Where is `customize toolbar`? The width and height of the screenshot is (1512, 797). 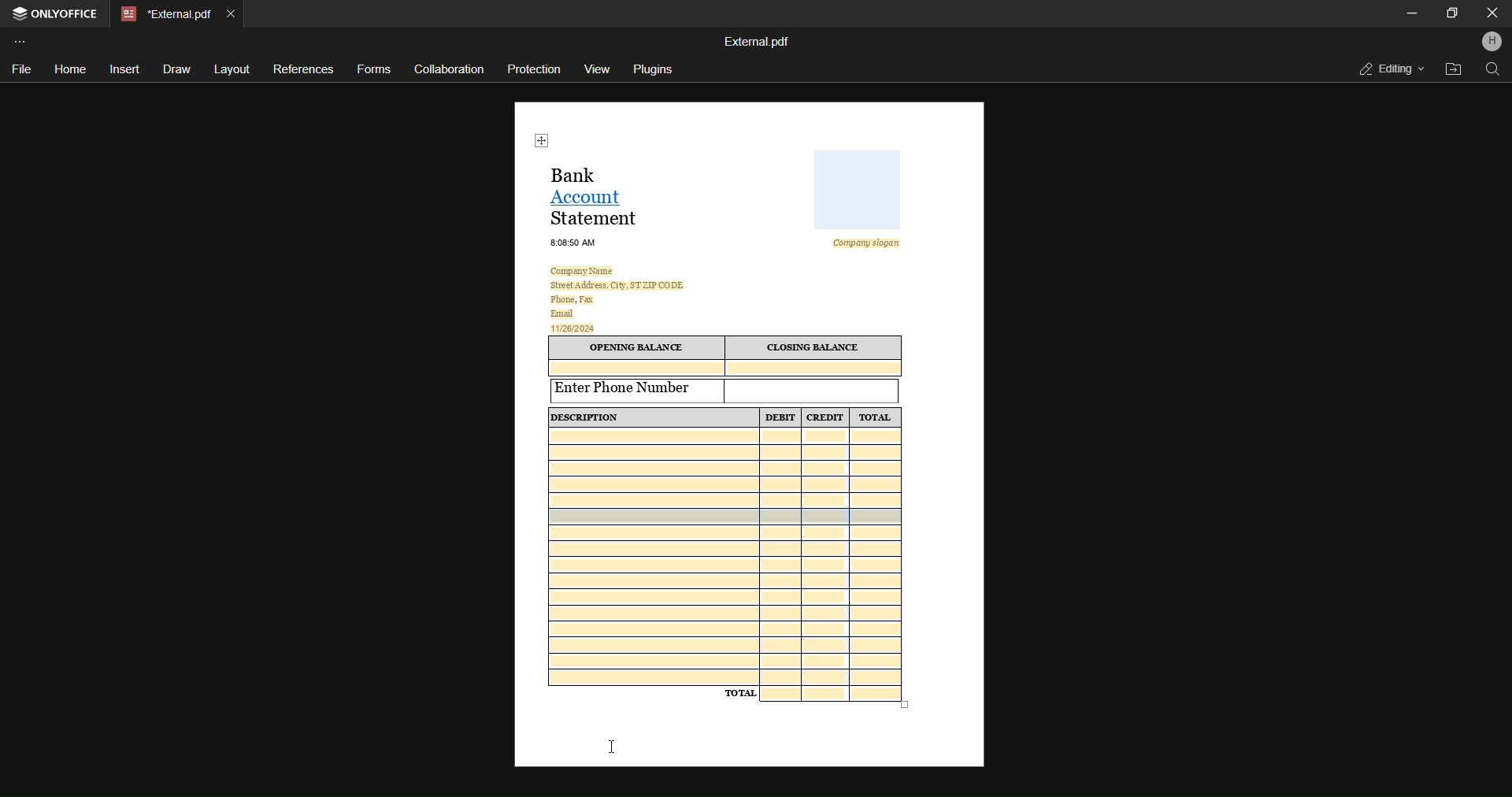 customize toolbar is located at coordinates (24, 40).